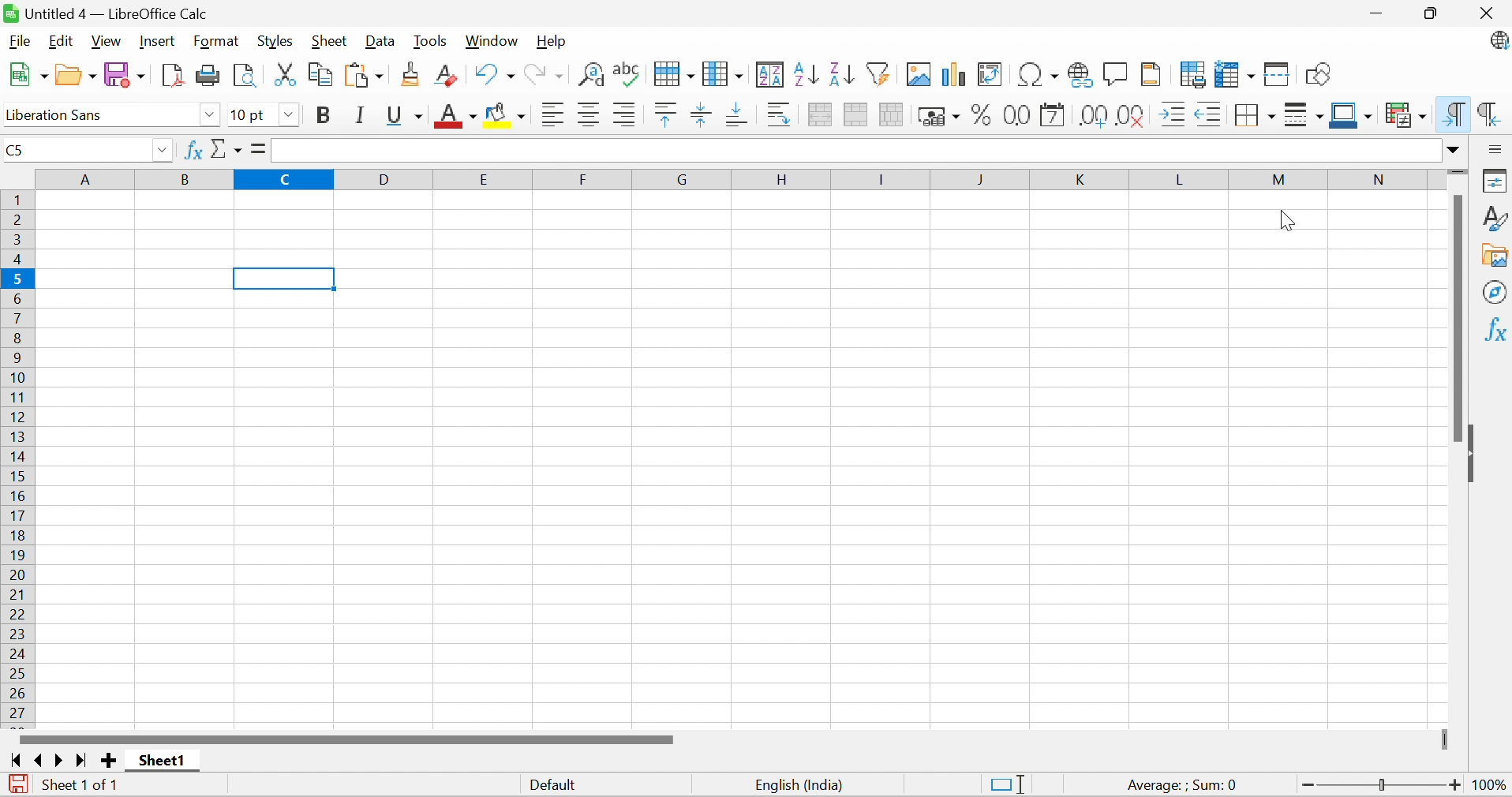 This screenshot has height=797, width=1512. I want to click on Format as number, so click(1019, 114).